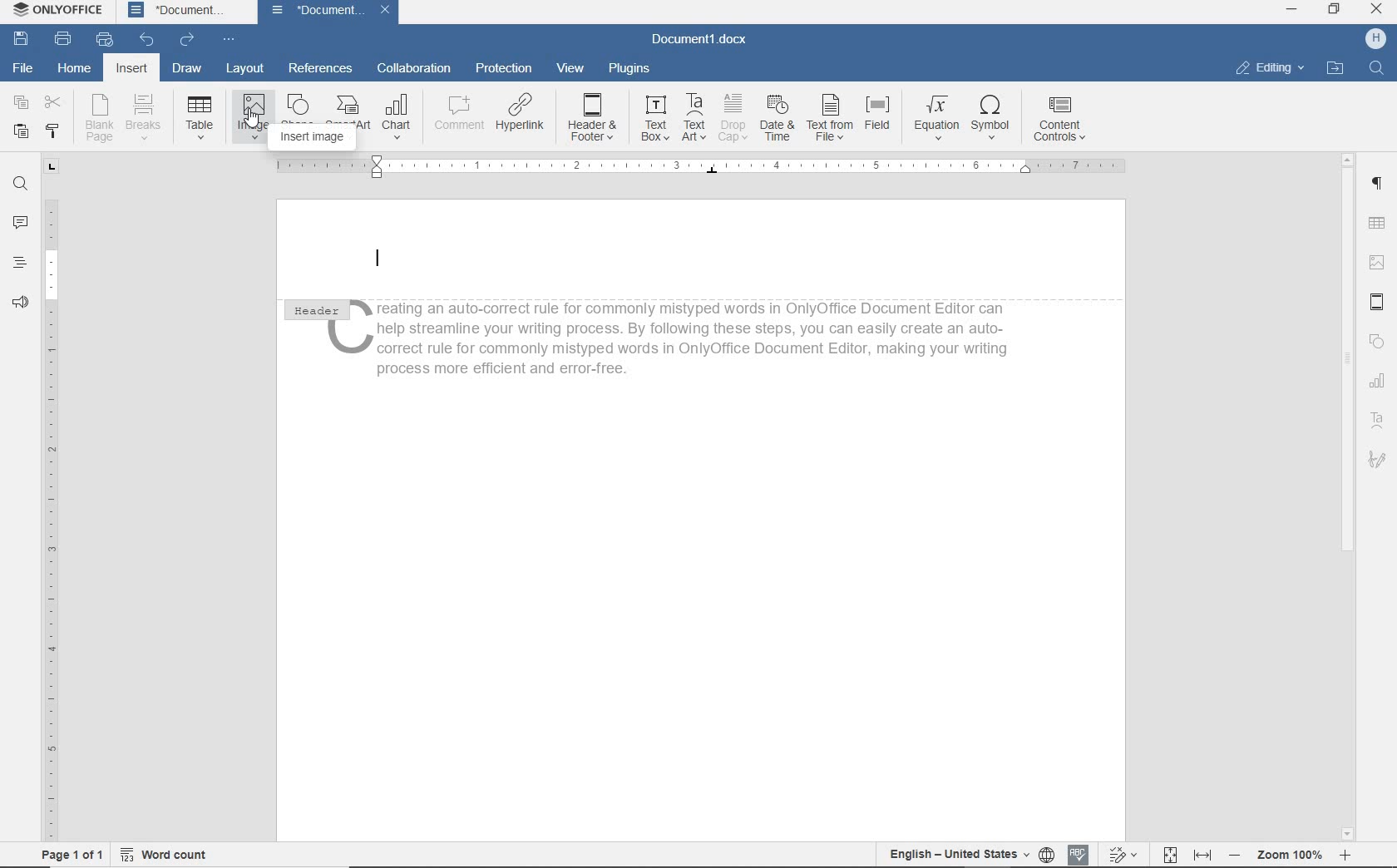  What do you see at coordinates (54, 9) in the screenshot?
I see `SYSTEM NAME` at bounding box center [54, 9].